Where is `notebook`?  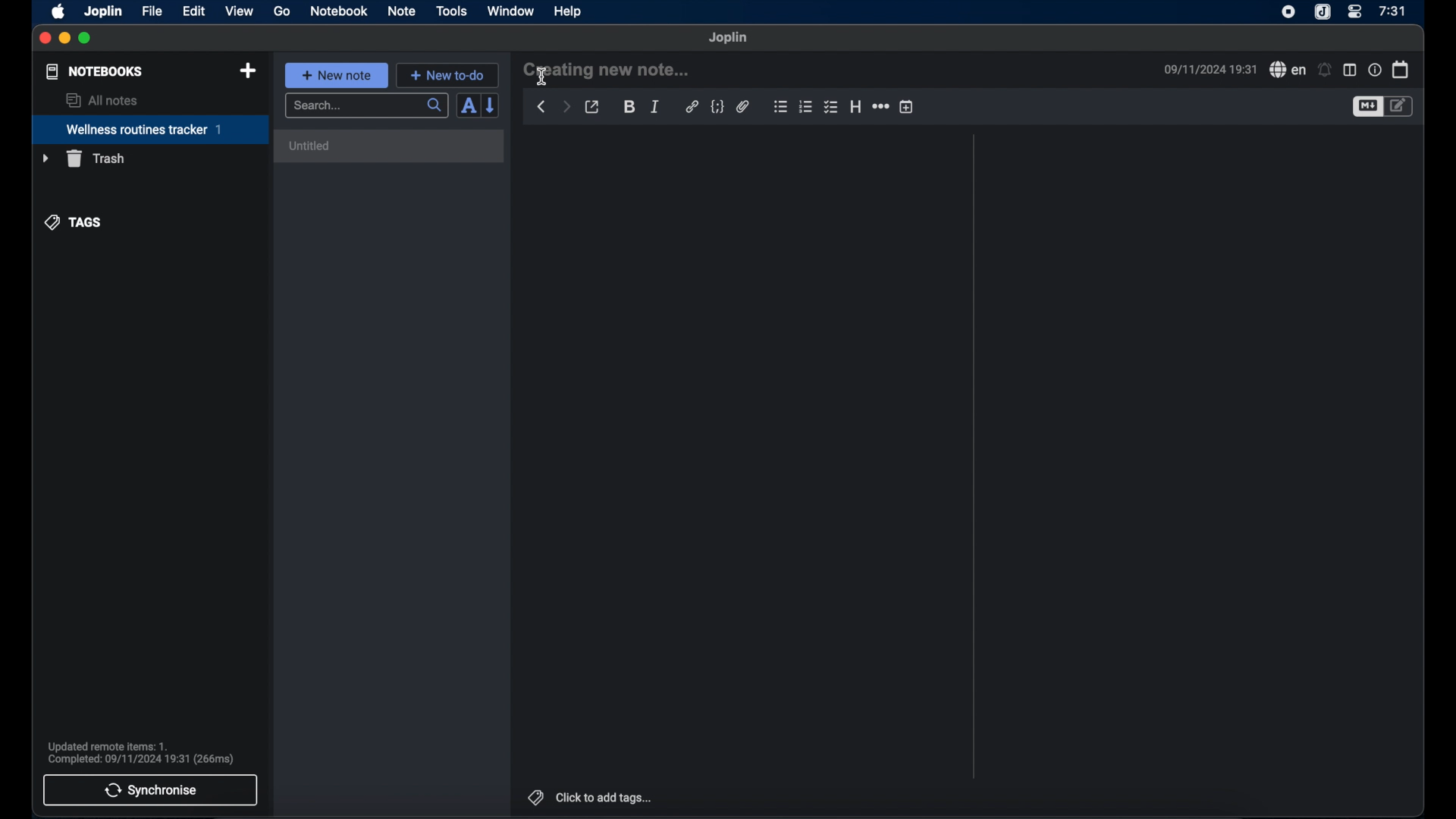 notebook is located at coordinates (339, 11).